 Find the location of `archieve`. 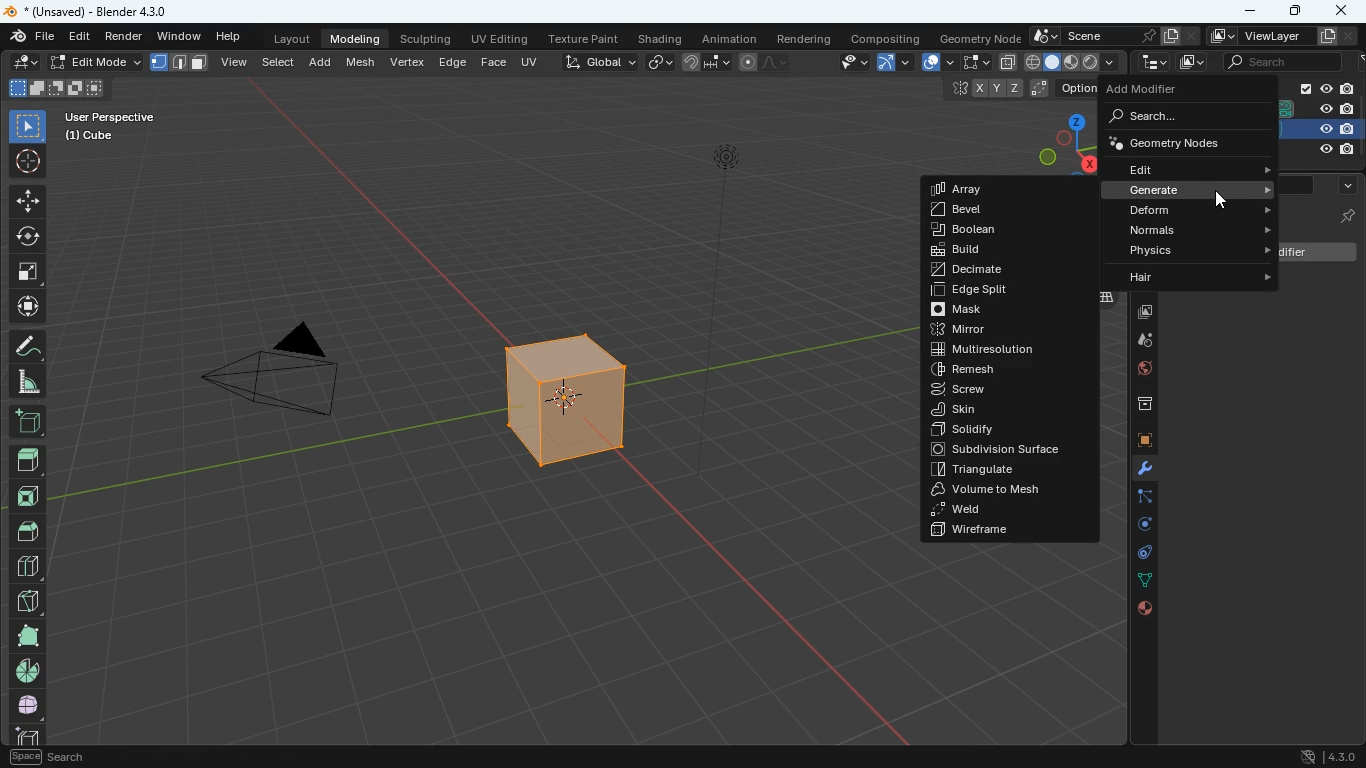

archieve is located at coordinates (1137, 406).